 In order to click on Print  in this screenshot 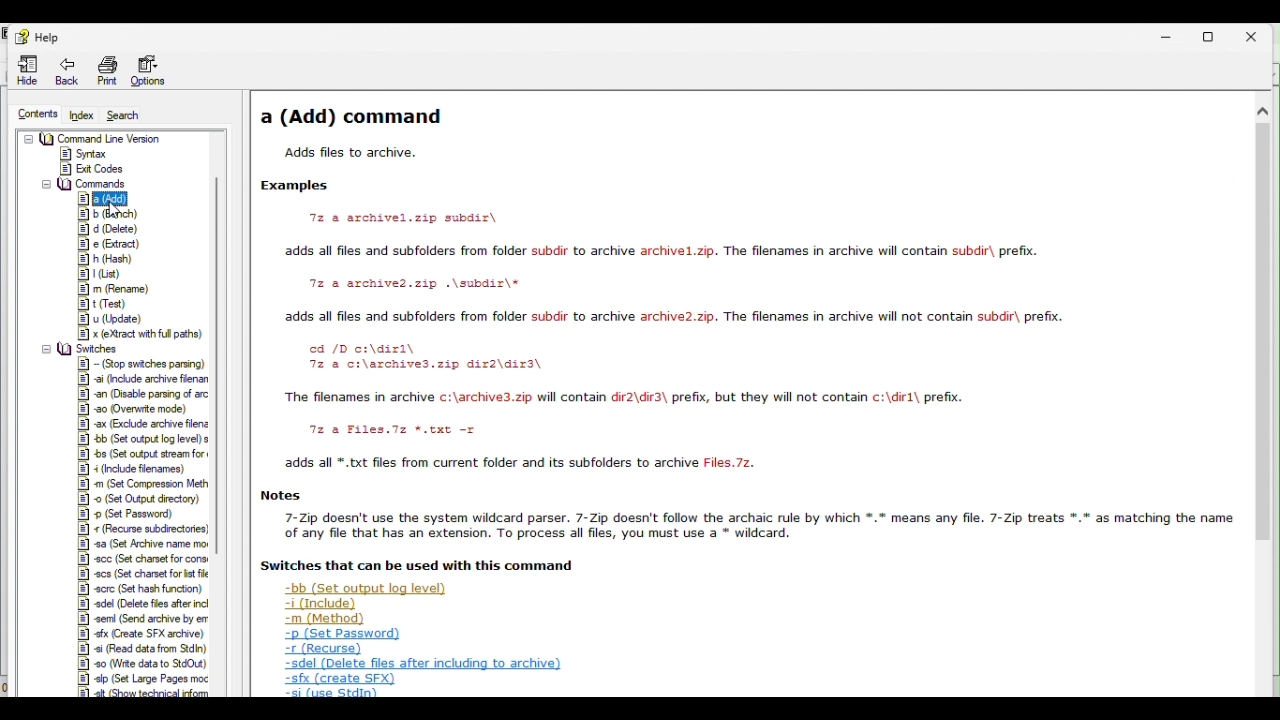, I will do `click(107, 69)`.